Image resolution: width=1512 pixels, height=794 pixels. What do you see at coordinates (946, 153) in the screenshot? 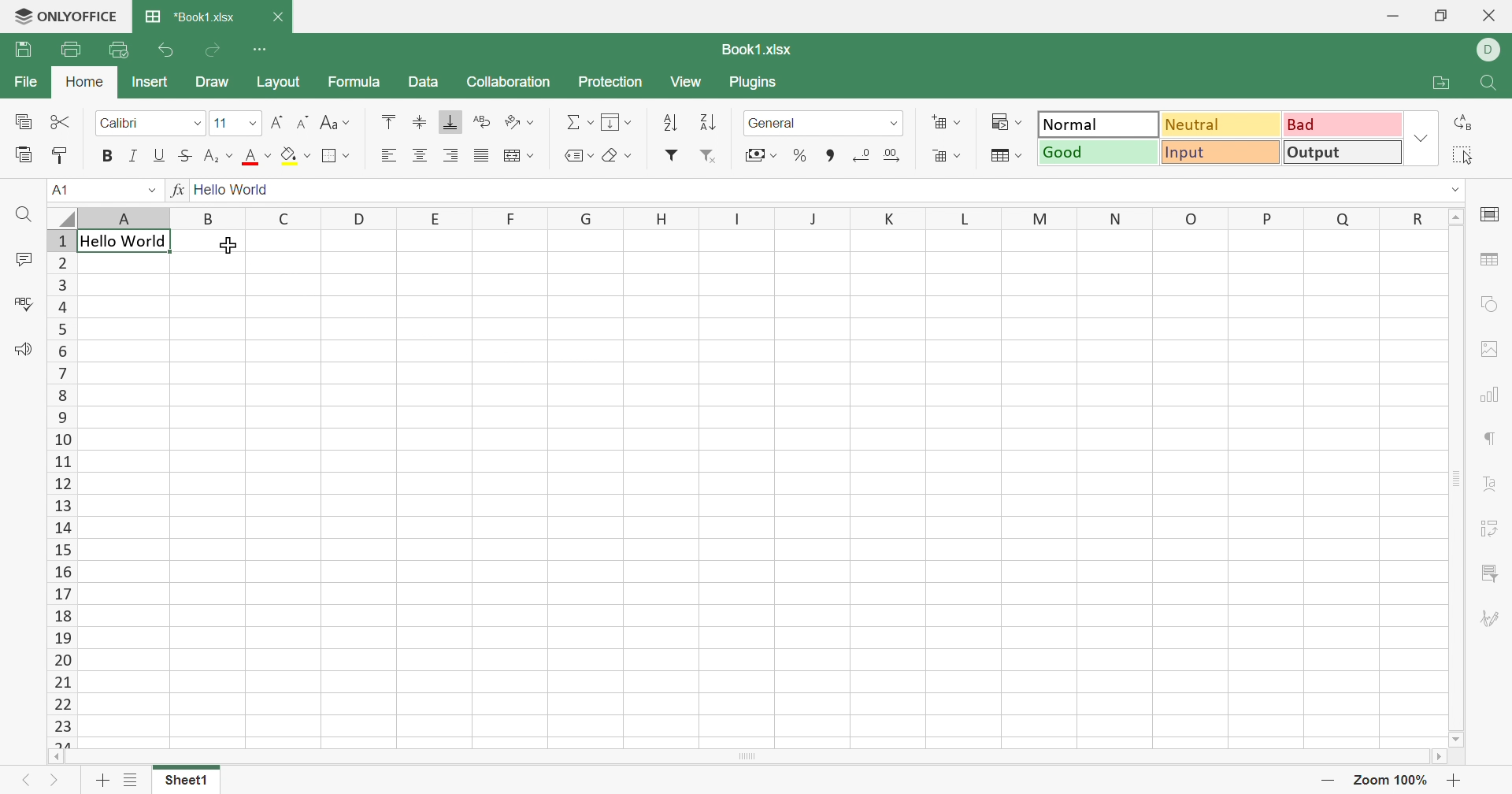
I see `Decreace cells` at bounding box center [946, 153].